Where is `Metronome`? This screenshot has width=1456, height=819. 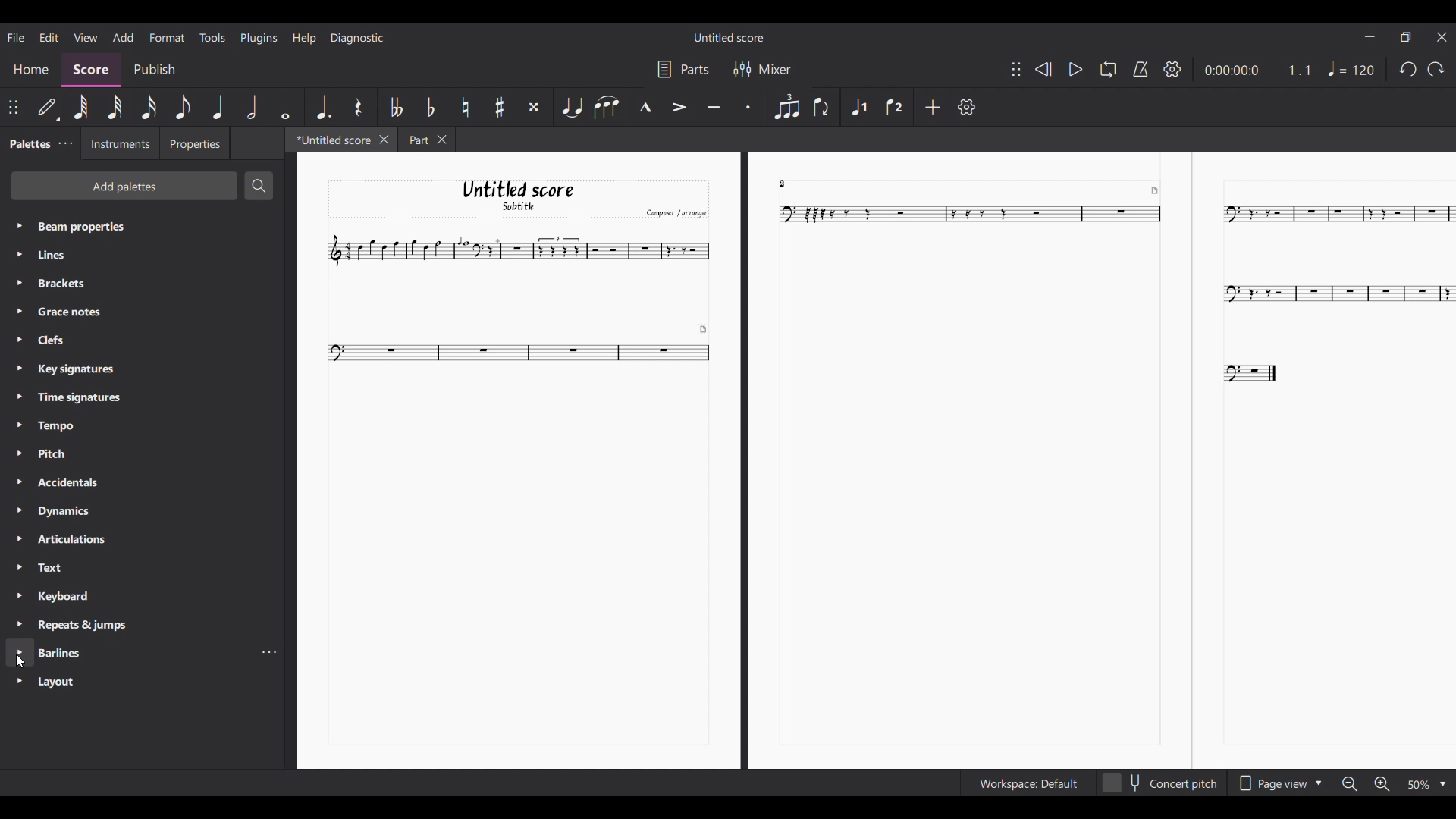 Metronome is located at coordinates (1141, 69).